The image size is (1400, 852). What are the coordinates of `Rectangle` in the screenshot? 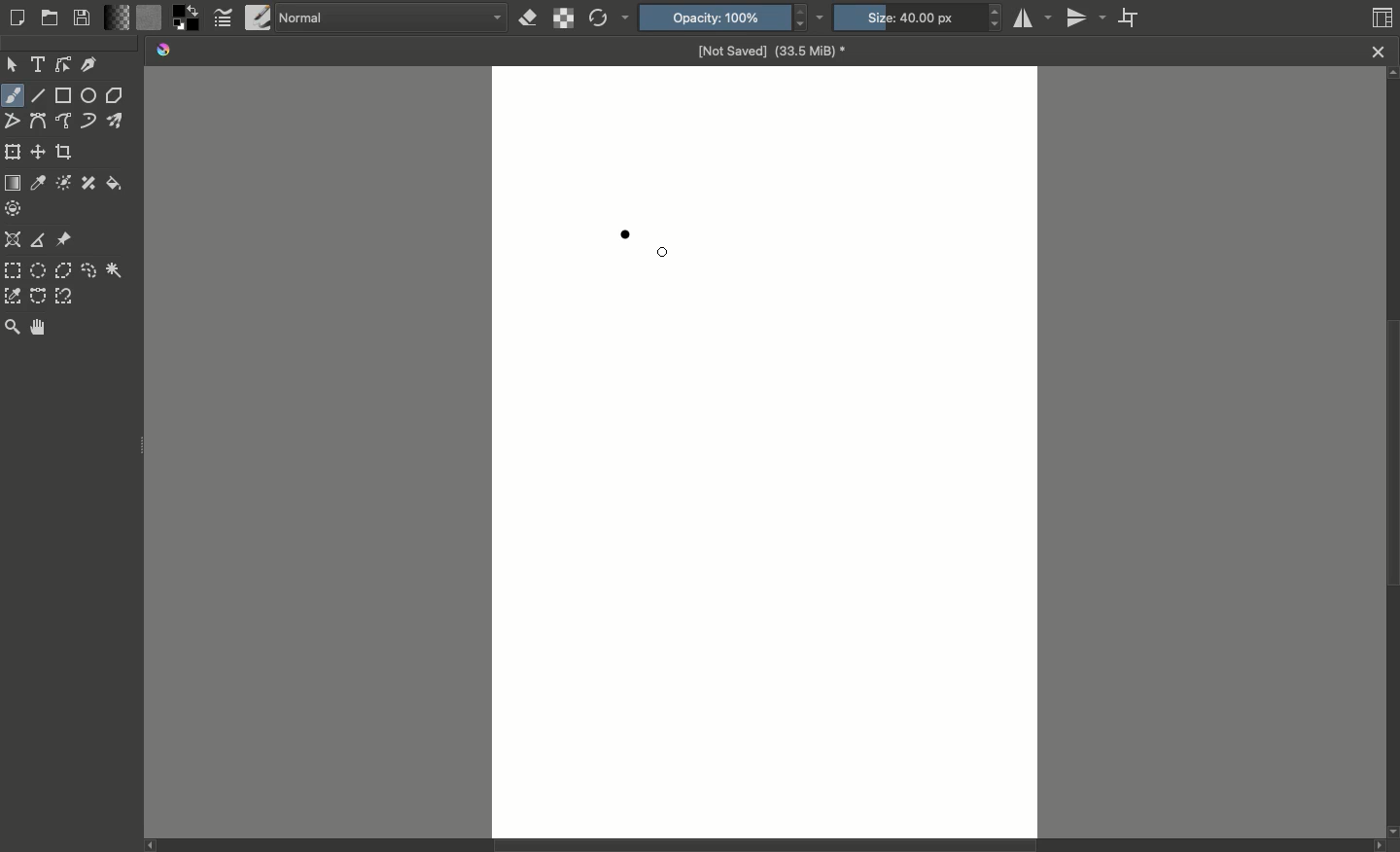 It's located at (64, 95).